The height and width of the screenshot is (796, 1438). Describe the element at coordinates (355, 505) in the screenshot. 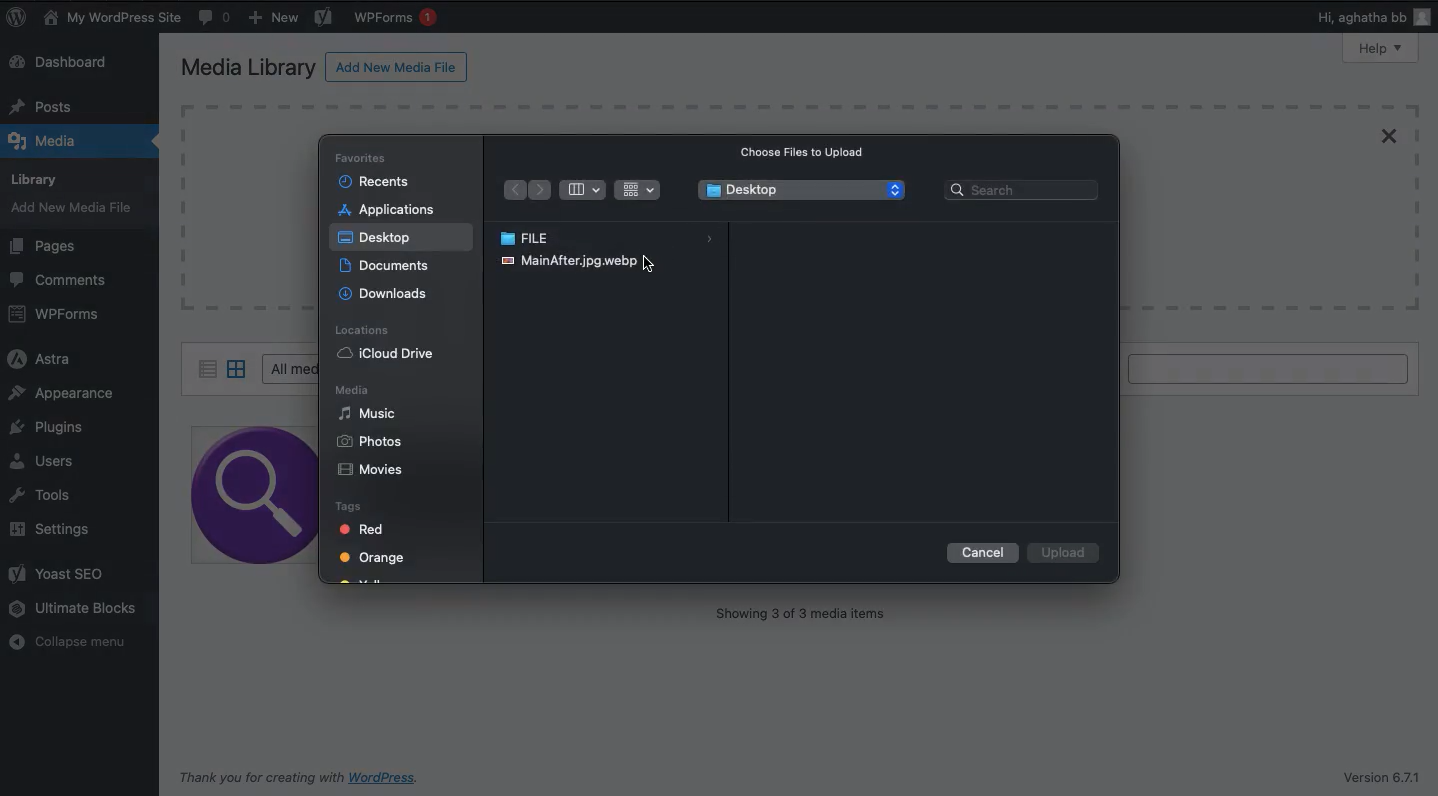

I see `Tags` at that location.